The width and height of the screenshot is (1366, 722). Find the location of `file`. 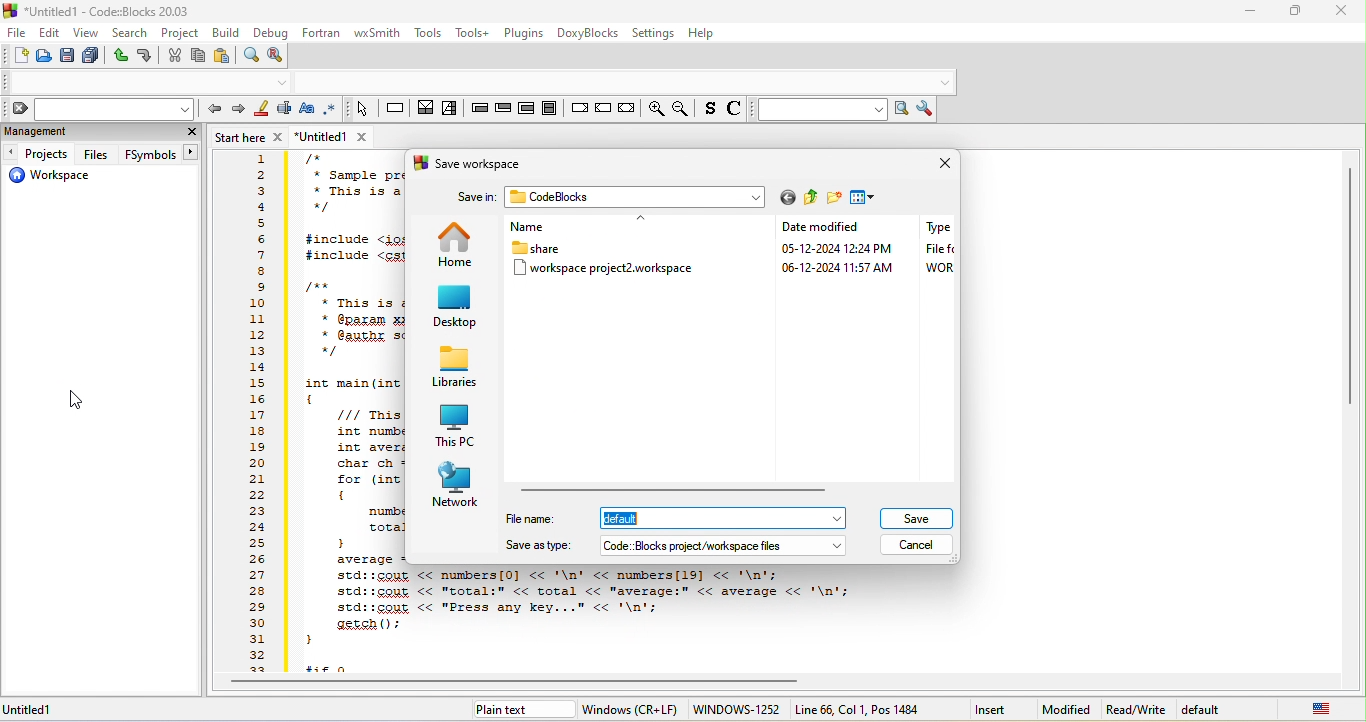

file is located at coordinates (16, 33).